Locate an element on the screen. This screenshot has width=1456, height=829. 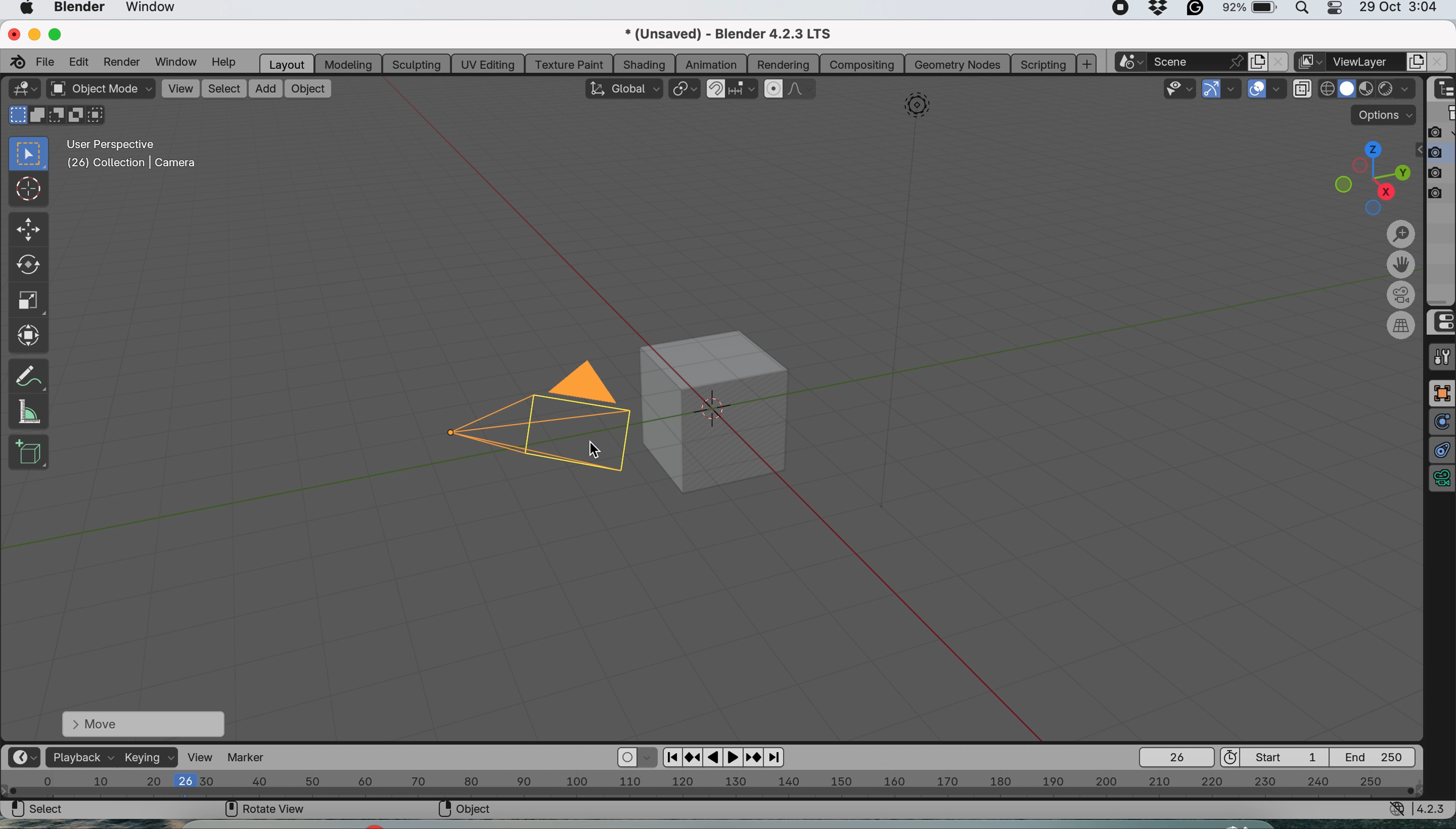
annotate is located at coordinates (28, 373).